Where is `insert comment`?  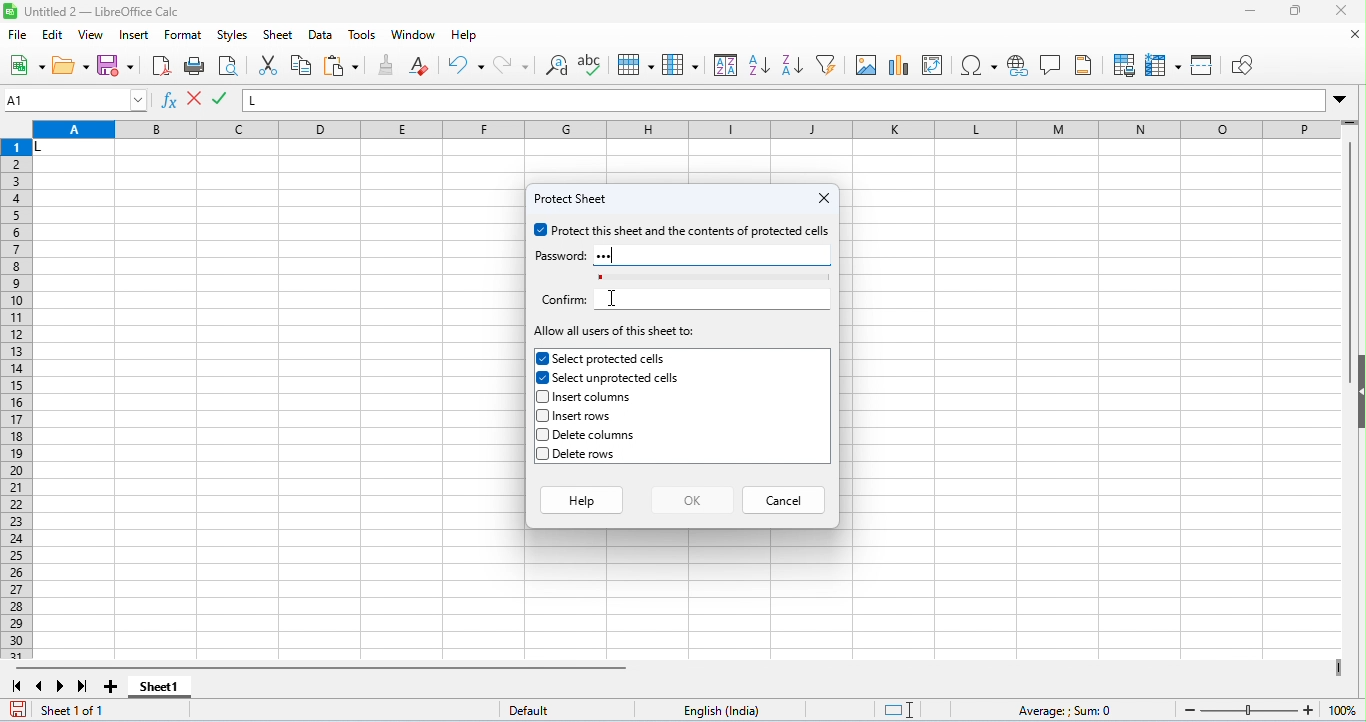
insert comment is located at coordinates (1052, 65).